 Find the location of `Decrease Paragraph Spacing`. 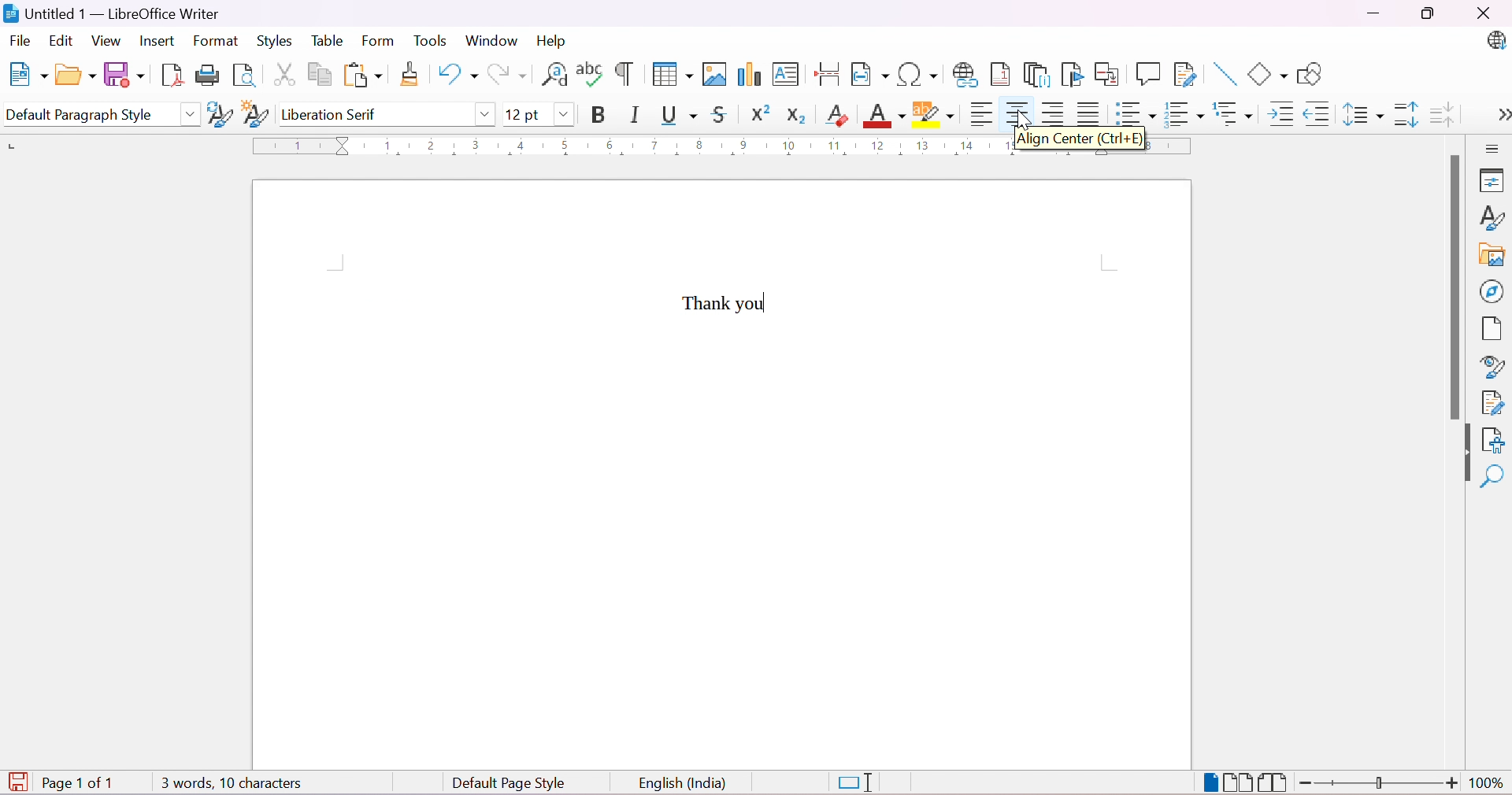

Decrease Paragraph Spacing is located at coordinates (1443, 112).